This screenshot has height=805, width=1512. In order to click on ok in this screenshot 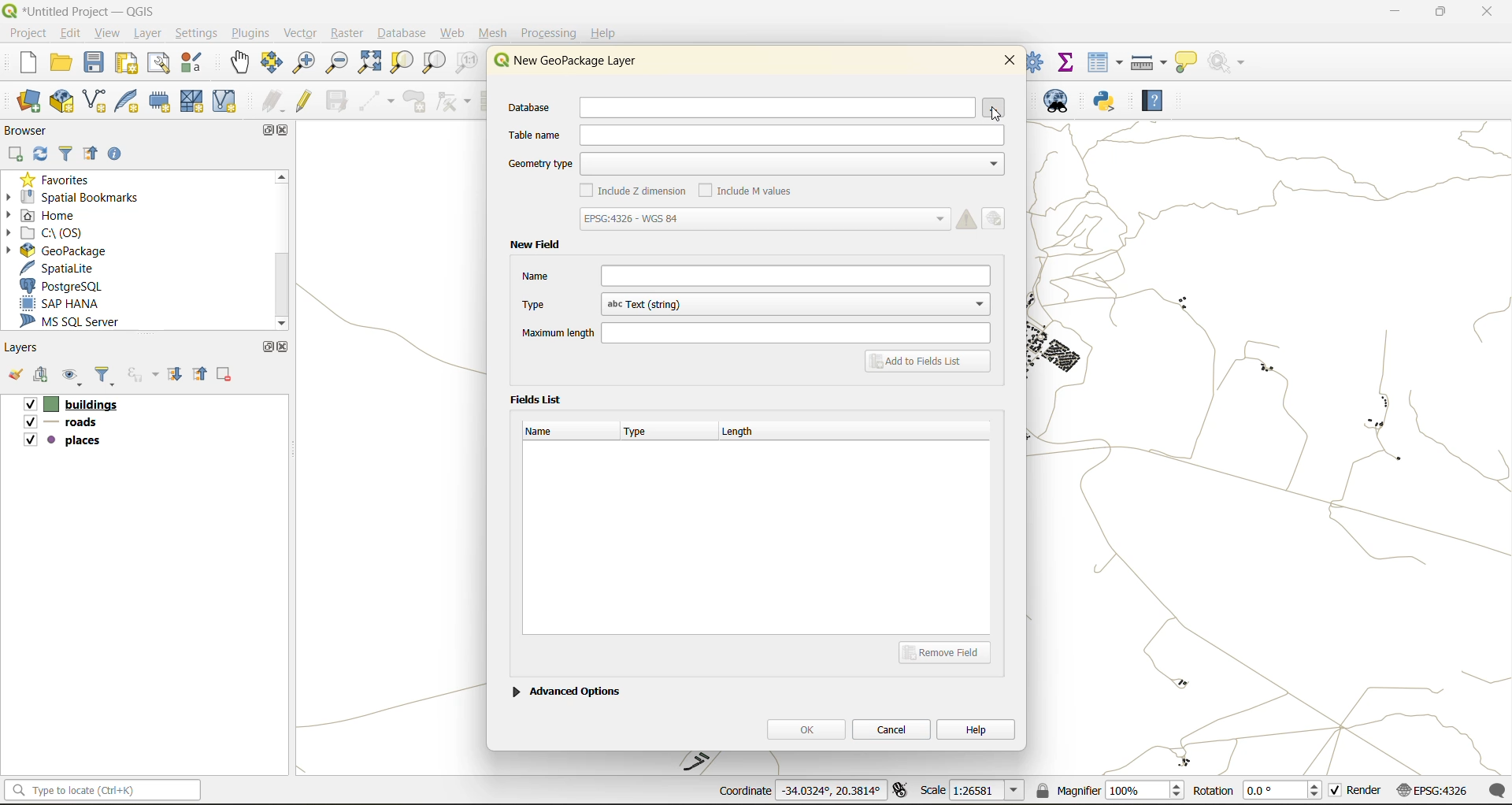, I will do `click(806, 729)`.